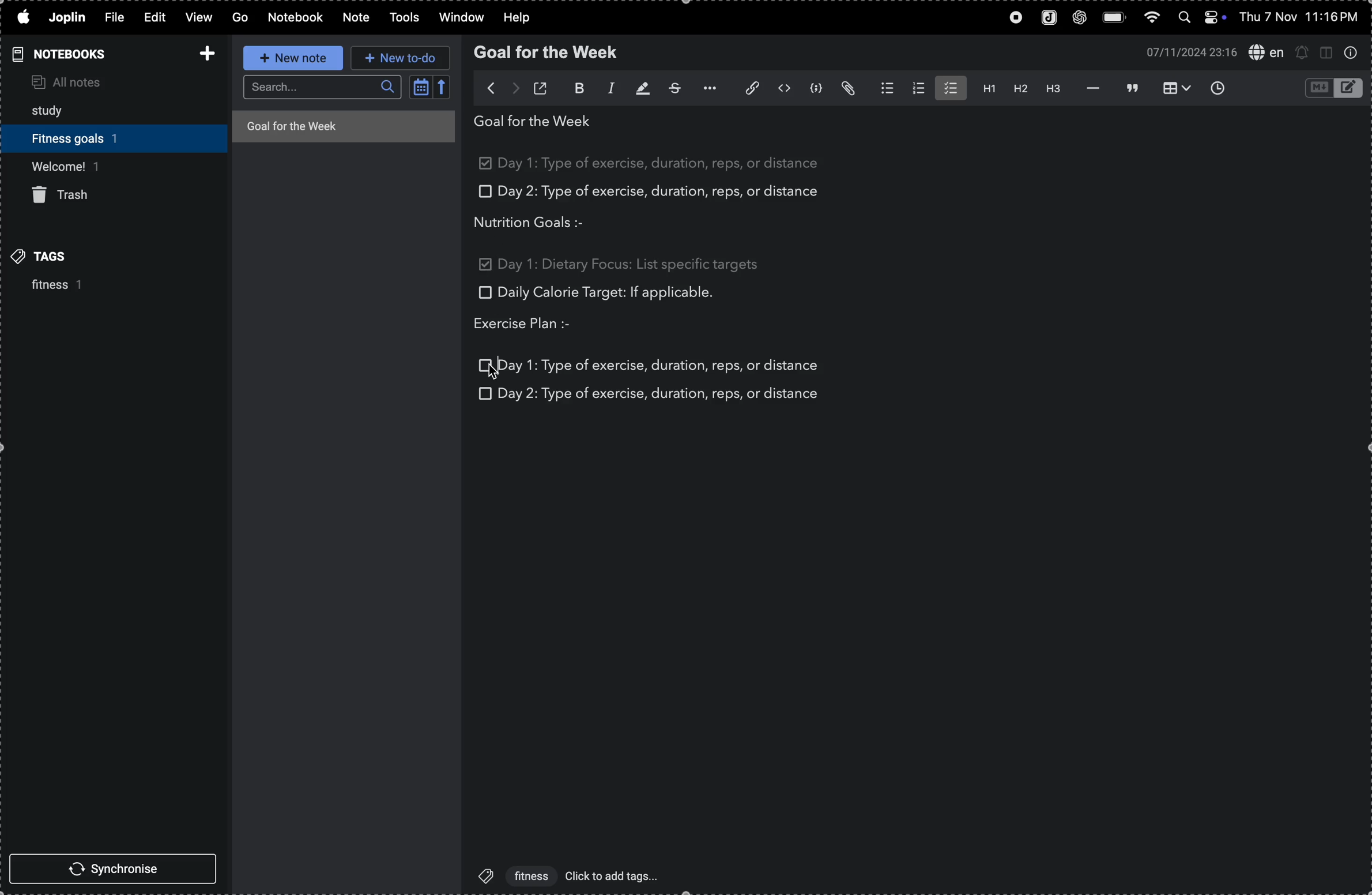 The image size is (1372, 895). I want to click on horizontal line, so click(1088, 88).